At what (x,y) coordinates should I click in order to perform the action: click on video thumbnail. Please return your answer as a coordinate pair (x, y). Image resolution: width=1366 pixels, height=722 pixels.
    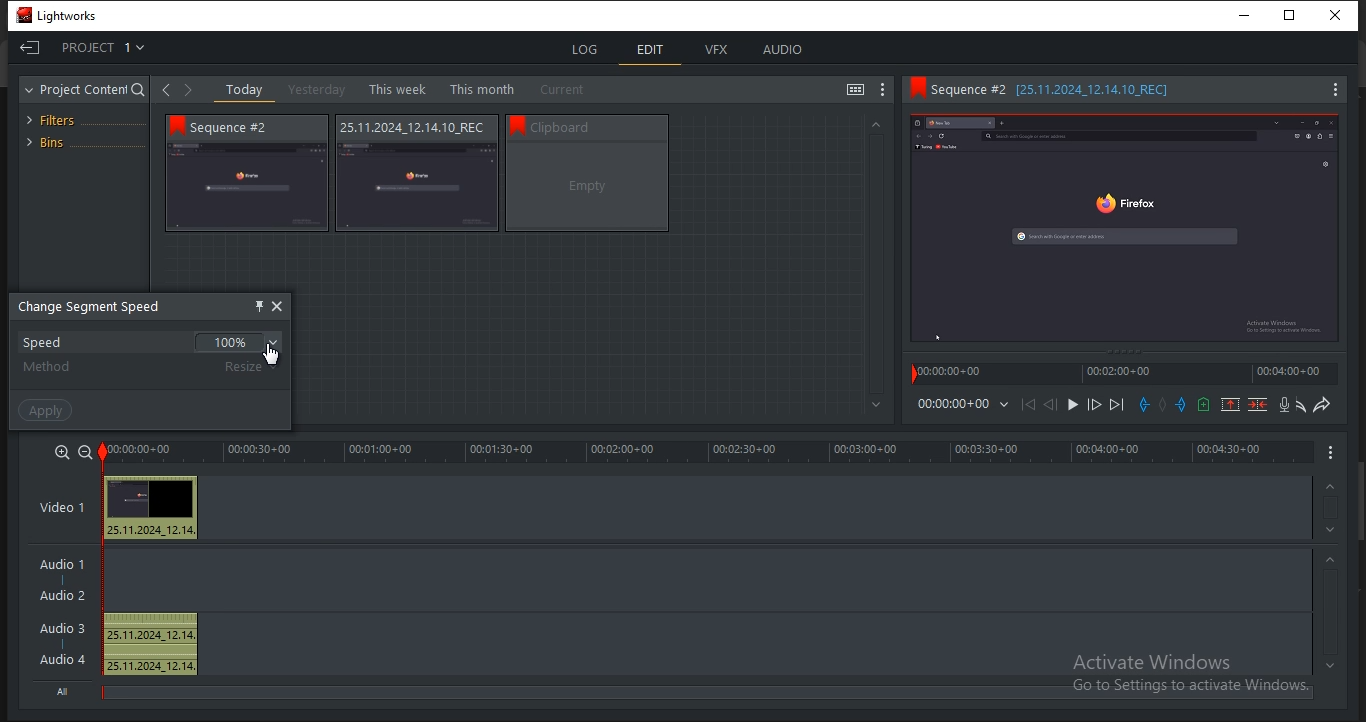
    Looking at the image, I should click on (249, 186).